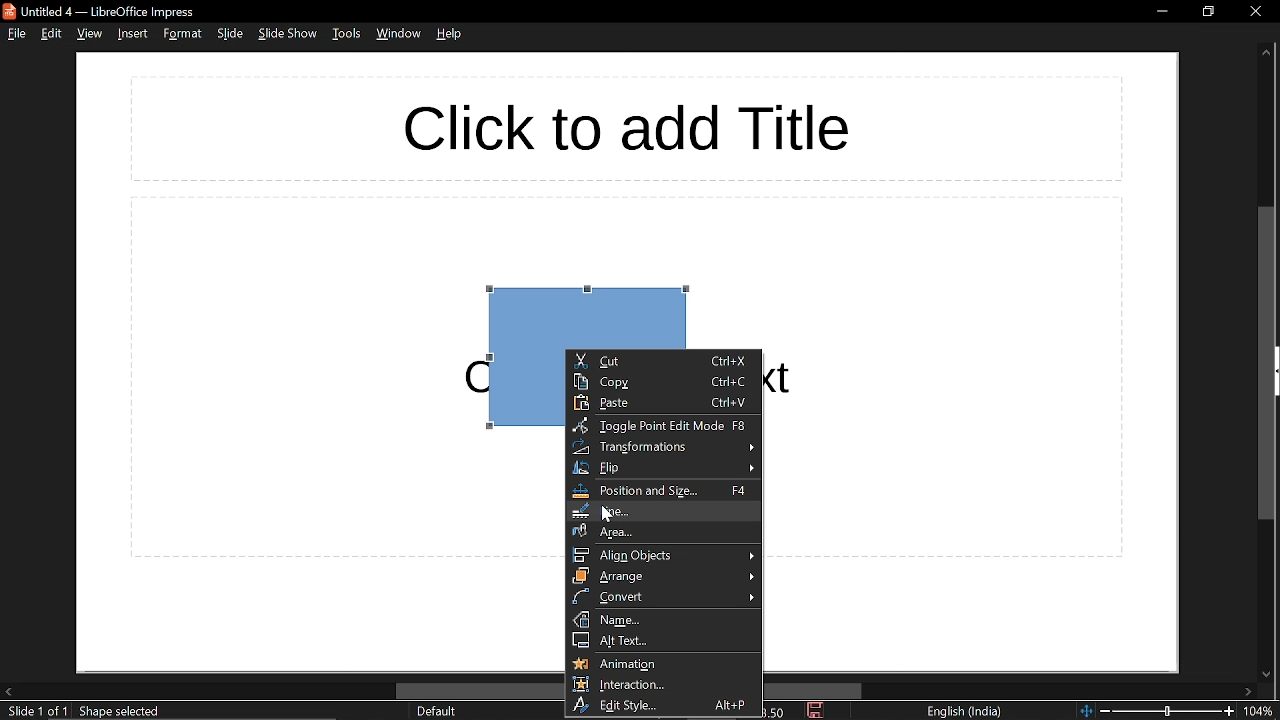  Describe the element at coordinates (122, 711) in the screenshot. I see `shape info` at that location.